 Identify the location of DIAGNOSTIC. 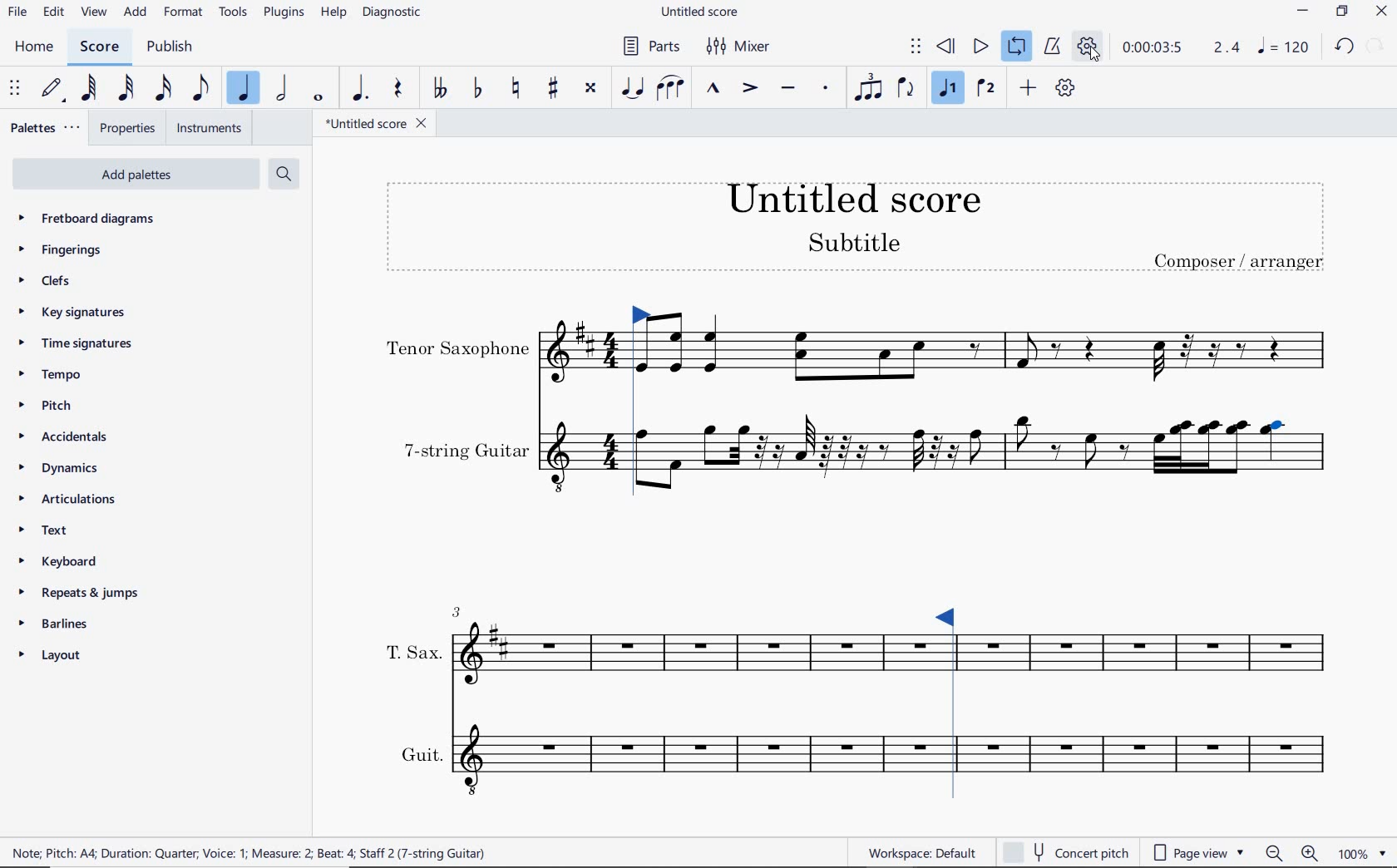
(394, 12).